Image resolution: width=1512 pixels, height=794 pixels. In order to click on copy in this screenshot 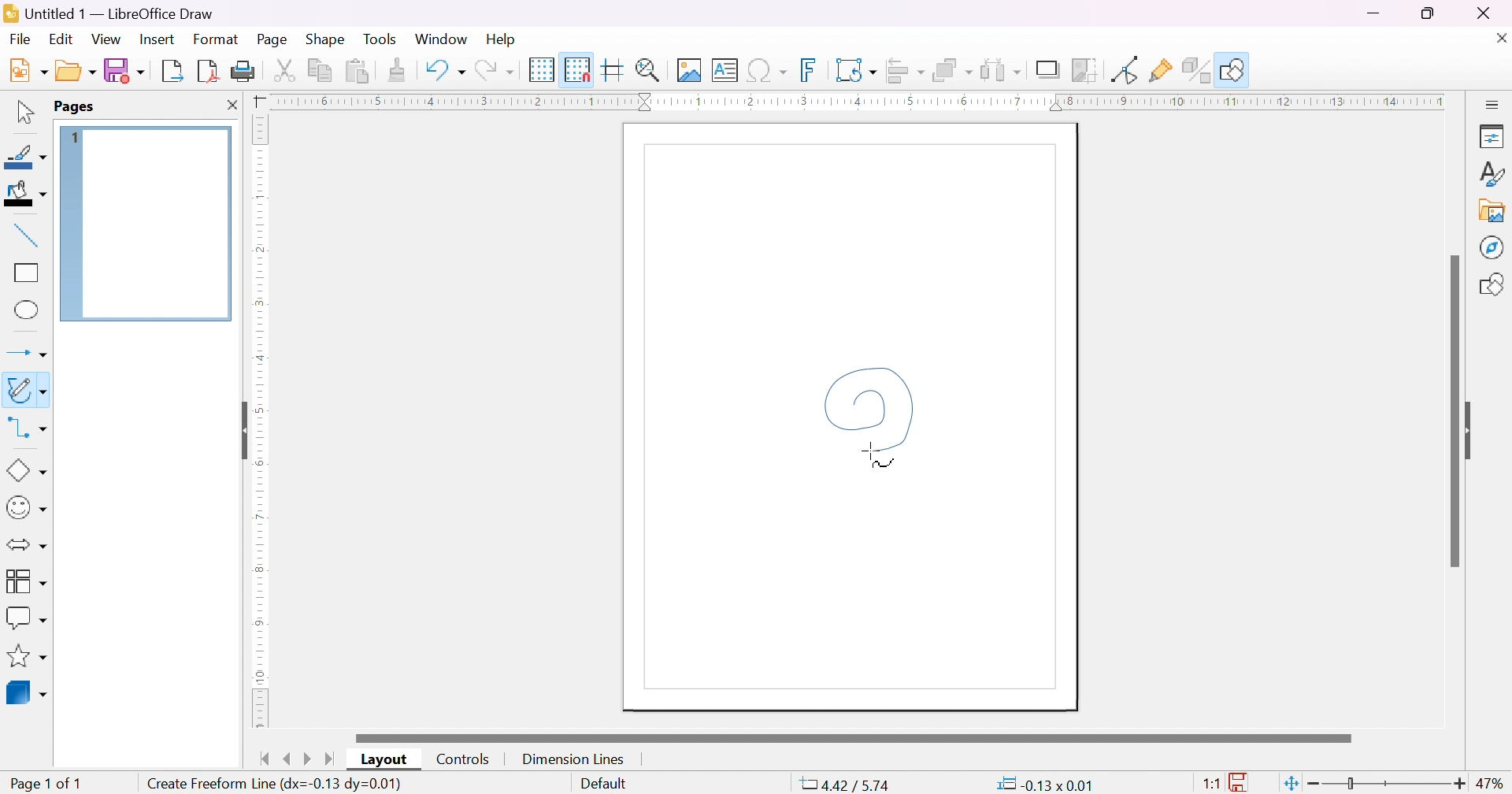, I will do `click(321, 70)`.